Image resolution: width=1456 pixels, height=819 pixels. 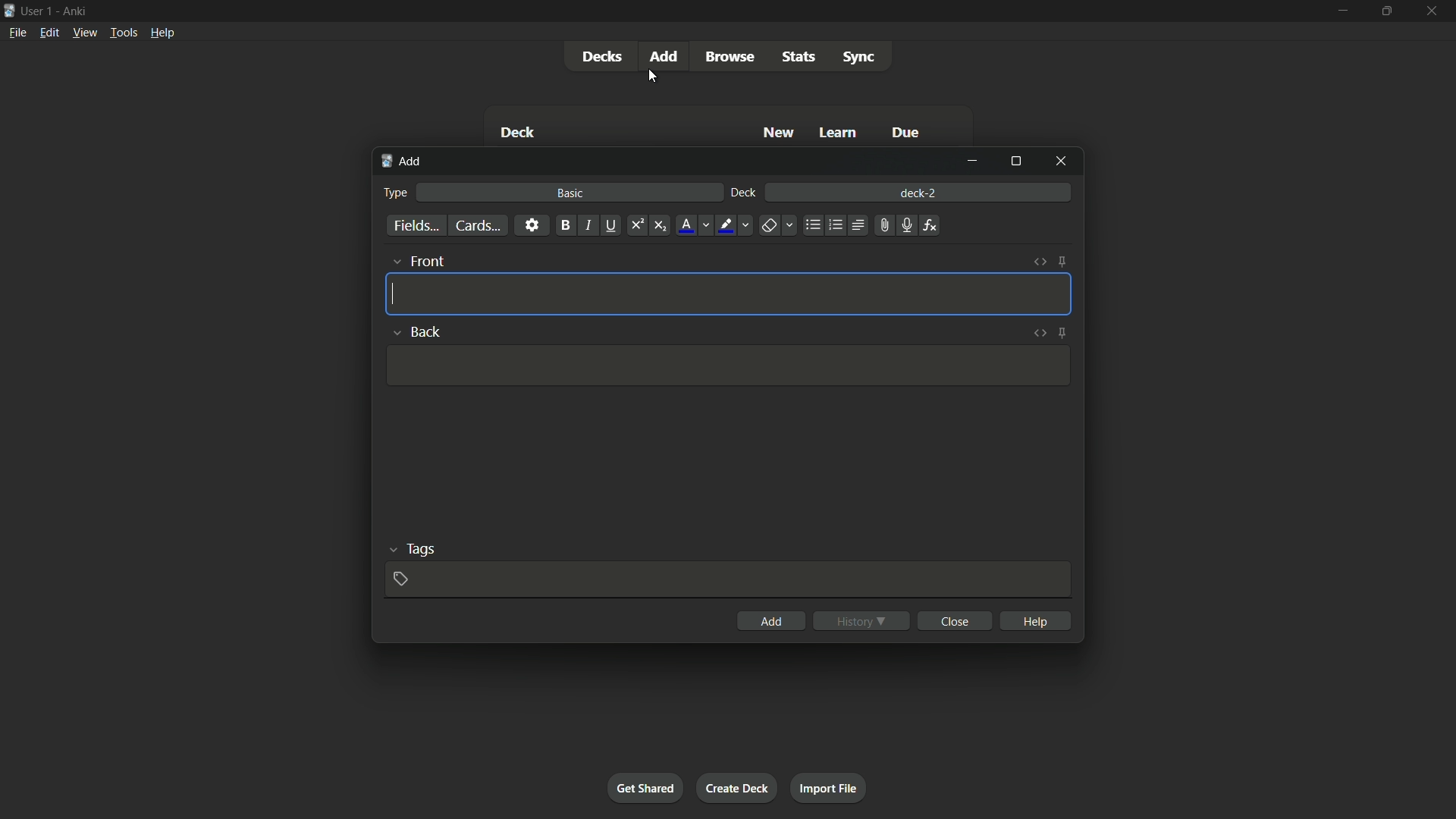 What do you see at coordinates (637, 226) in the screenshot?
I see `superscript` at bounding box center [637, 226].